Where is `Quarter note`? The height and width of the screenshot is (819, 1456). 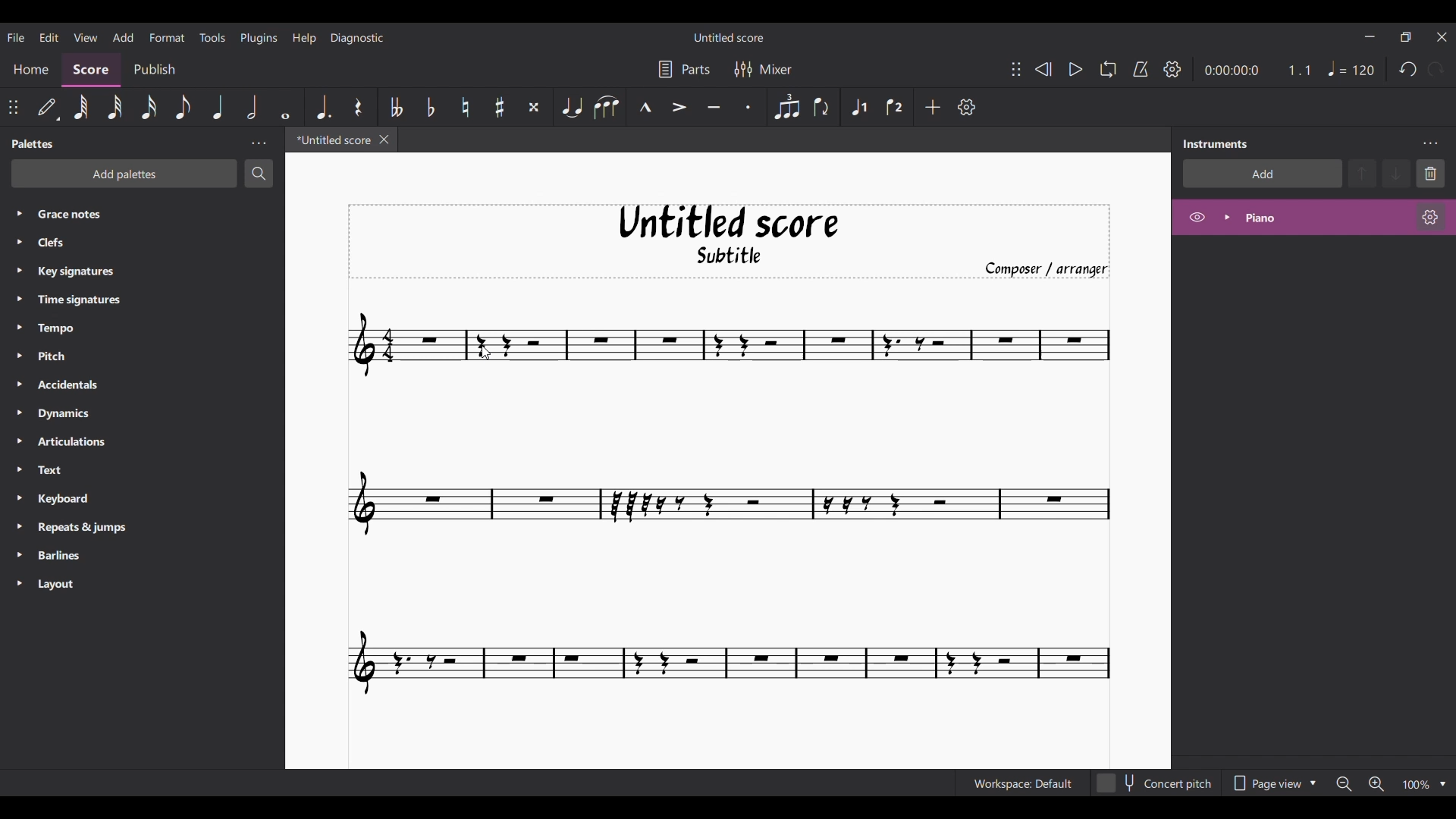
Quarter note is located at coordinates (217, 106).